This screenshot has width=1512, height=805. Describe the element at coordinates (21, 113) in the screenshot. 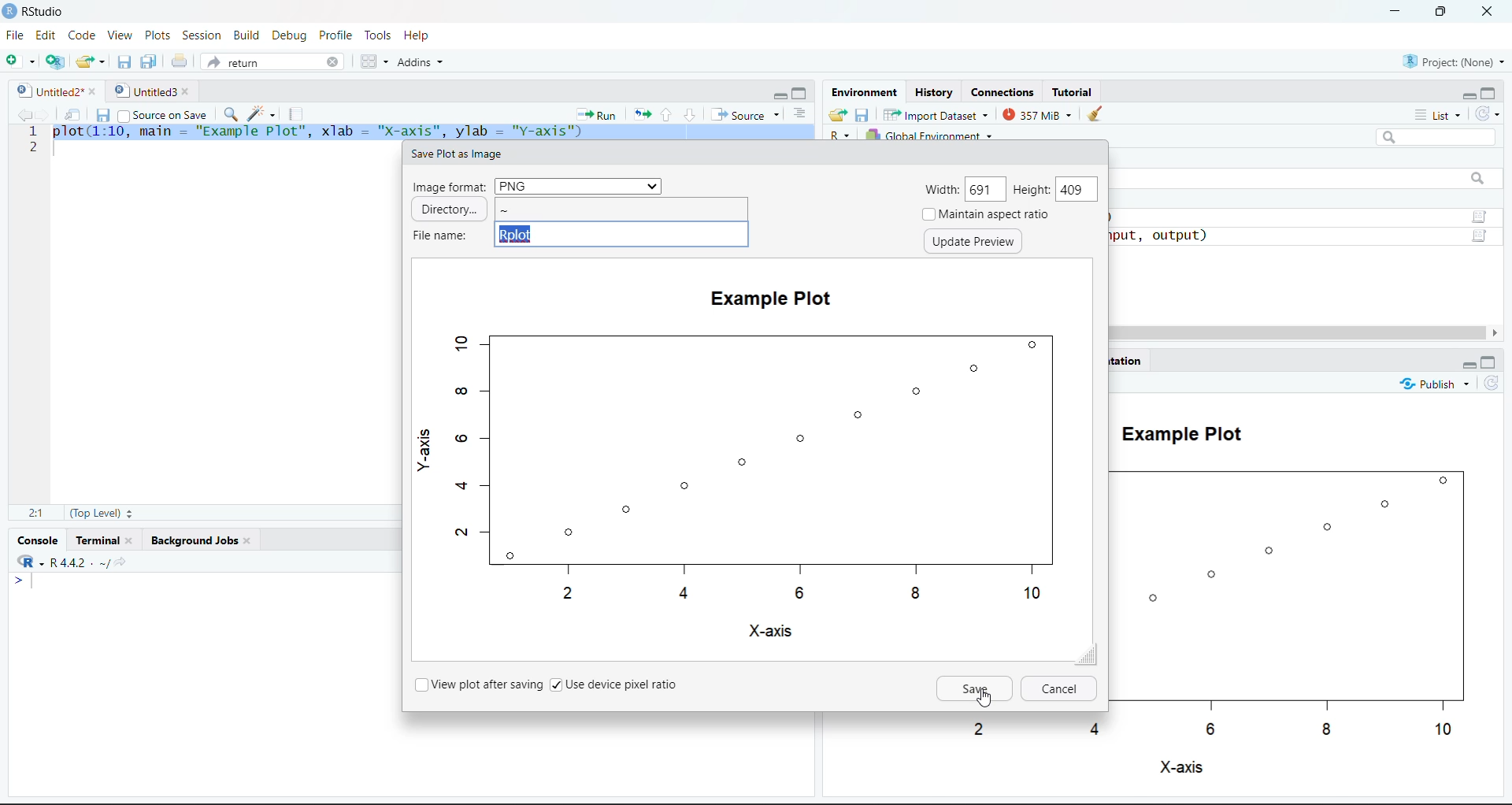

I see `Go back to the previous source location (Ctrl + F9)` at that location.